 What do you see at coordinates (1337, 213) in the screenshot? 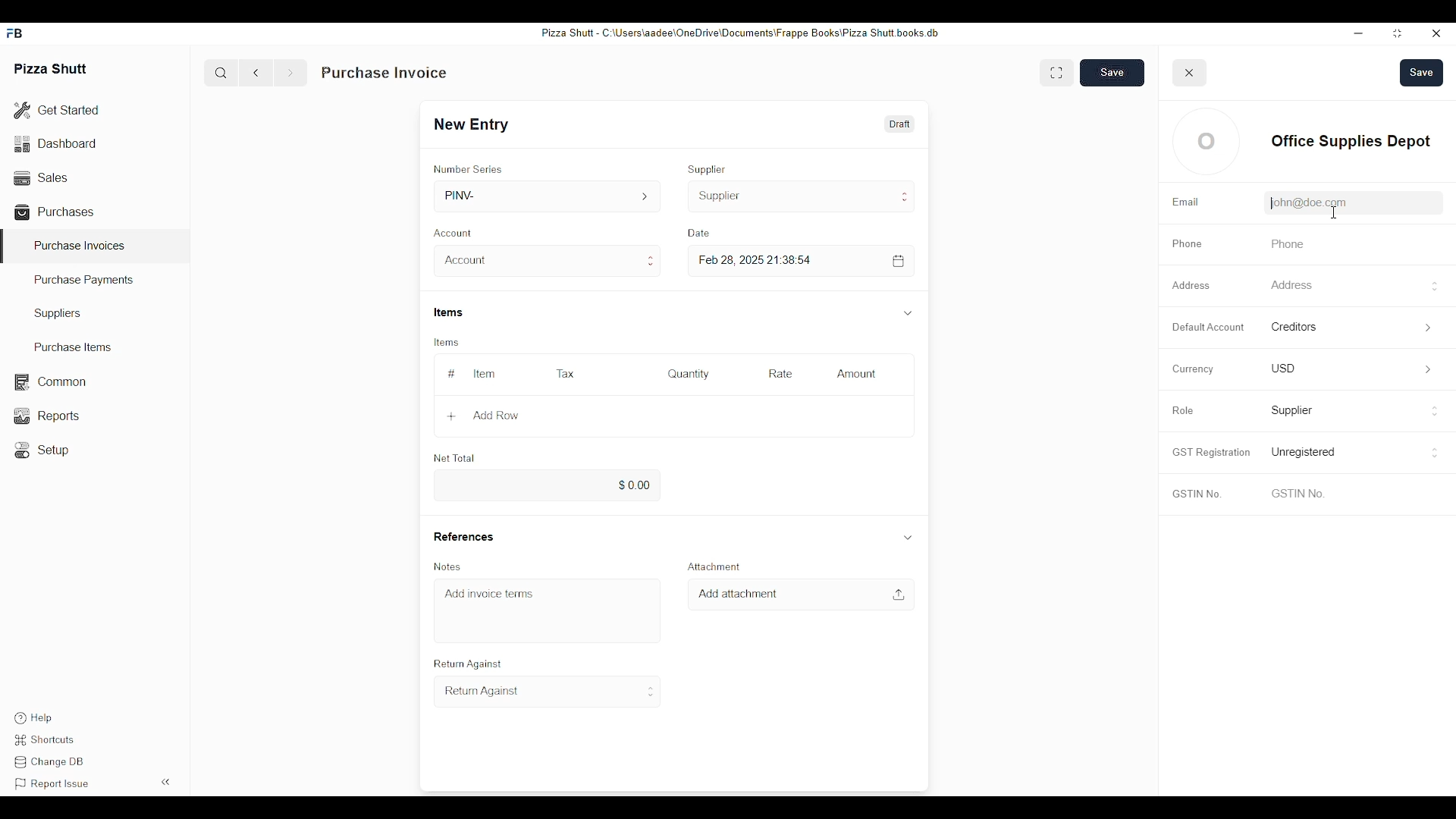
I see `cursor` at bounding box center [1337, 213].